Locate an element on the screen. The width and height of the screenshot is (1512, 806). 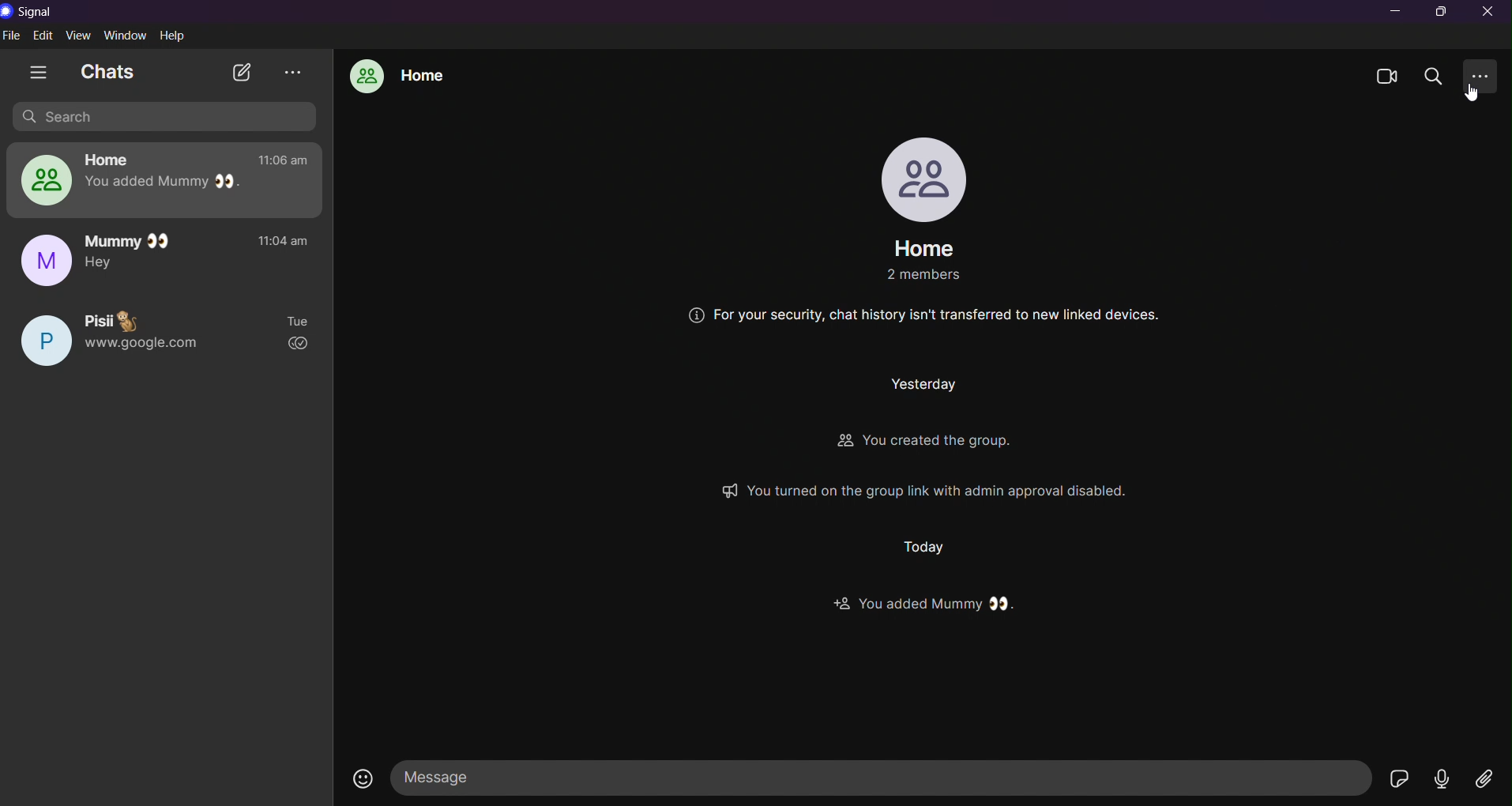
view archieve is located at coordinates (293, 71).